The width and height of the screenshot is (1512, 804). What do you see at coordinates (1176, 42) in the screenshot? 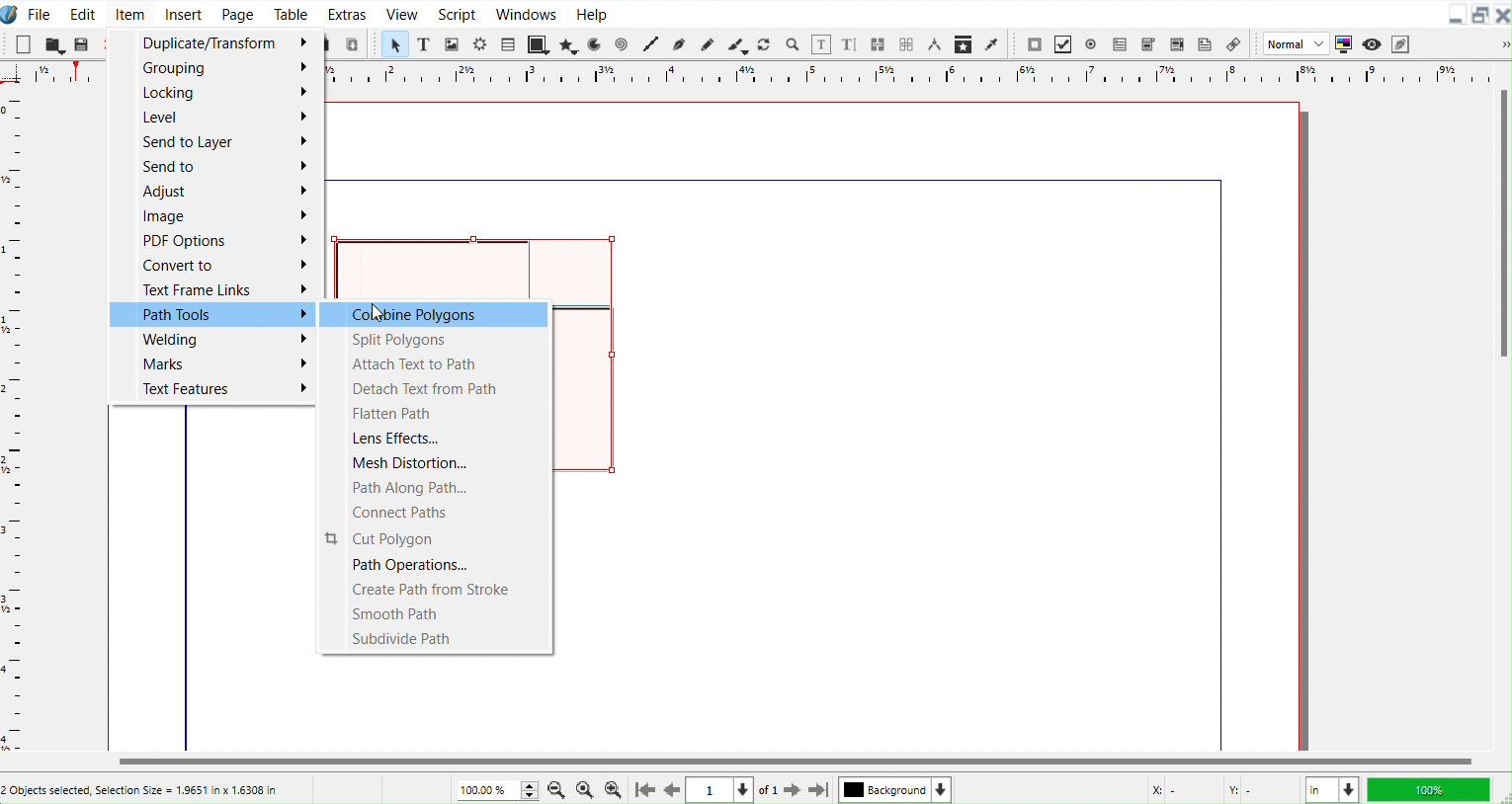
I see `PDF List Box` at bounding box center [1176, 42].